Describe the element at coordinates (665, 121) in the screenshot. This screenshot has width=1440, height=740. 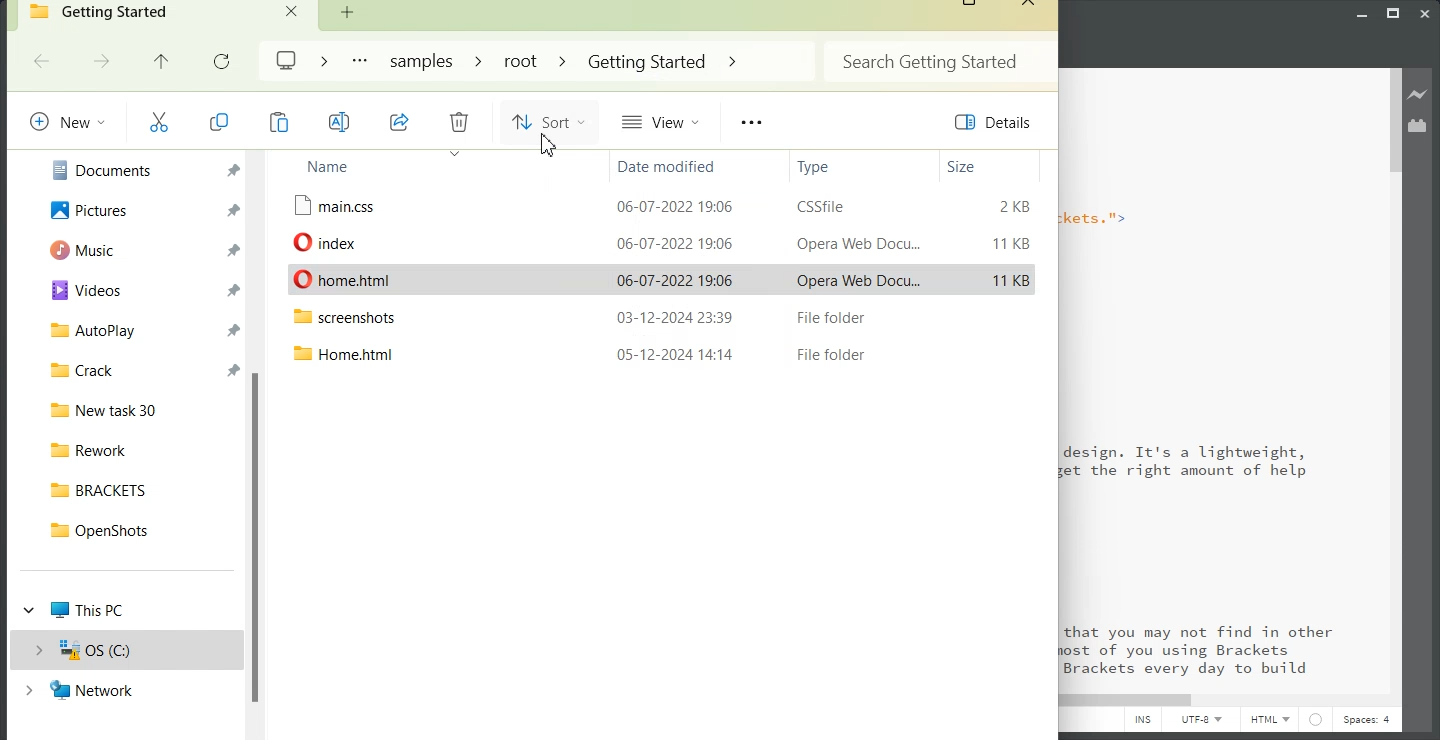
I see `View` at that location.